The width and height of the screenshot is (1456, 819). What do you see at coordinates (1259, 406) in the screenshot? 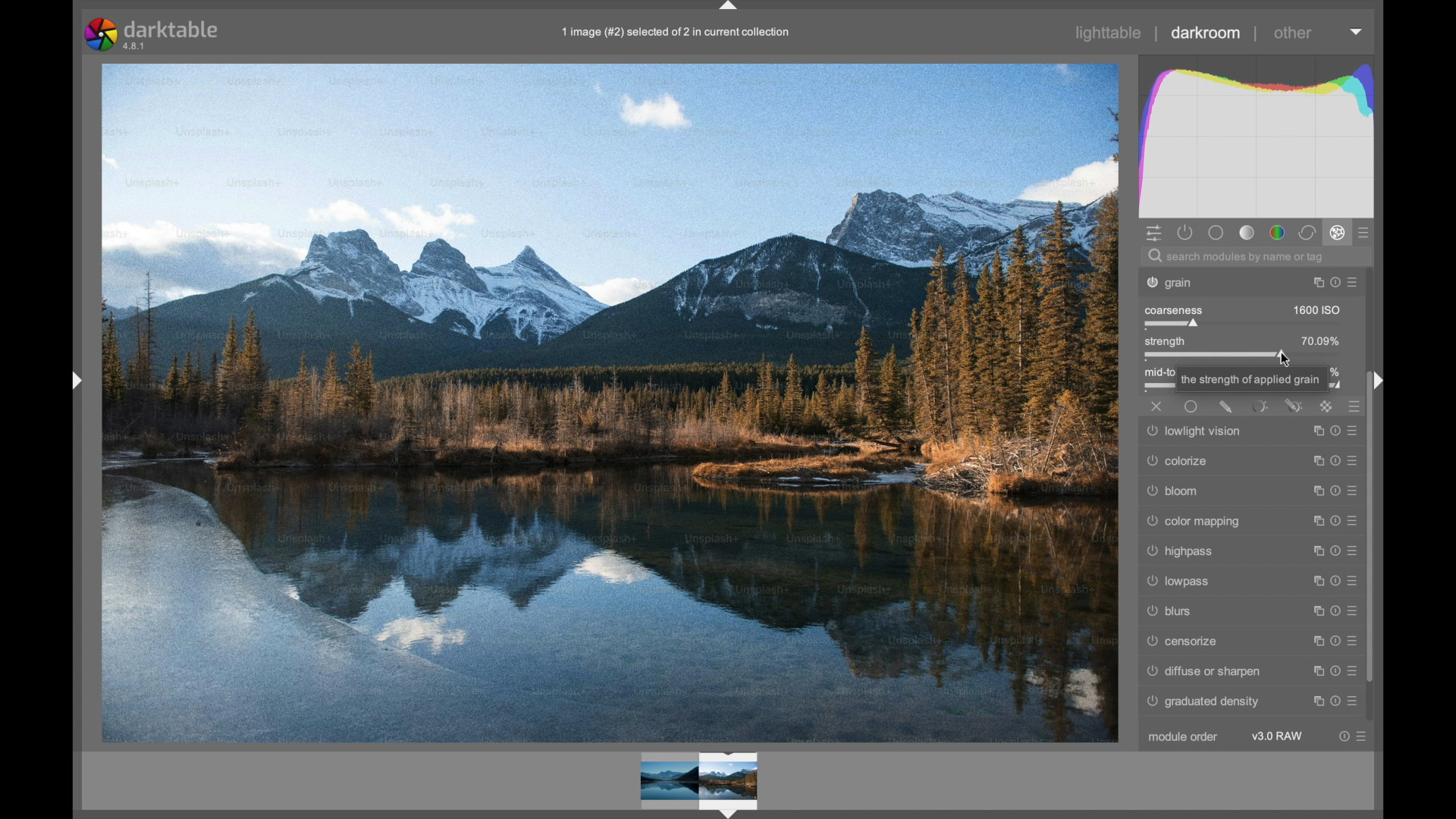
I see `parametric mask` at bounding box center [1259, 406].